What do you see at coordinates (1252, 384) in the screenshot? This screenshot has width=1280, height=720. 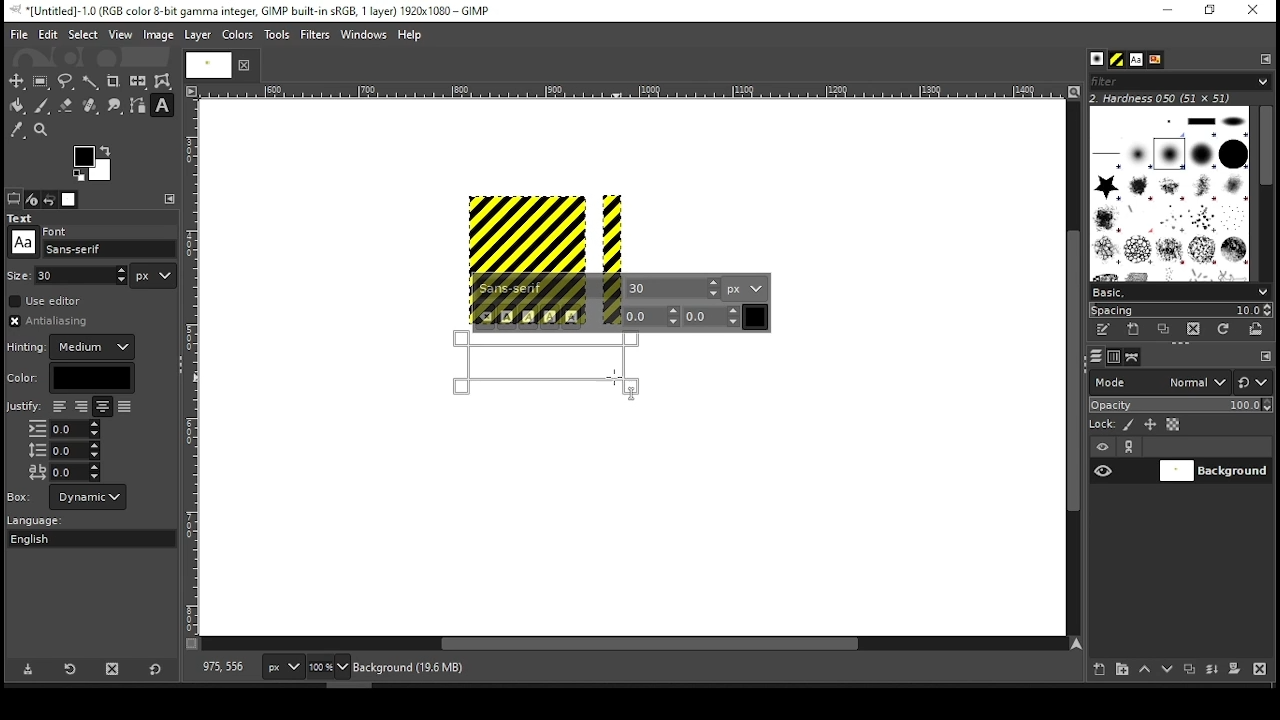 I see `switch to other mode groups` at bounding box center [1252, 384].